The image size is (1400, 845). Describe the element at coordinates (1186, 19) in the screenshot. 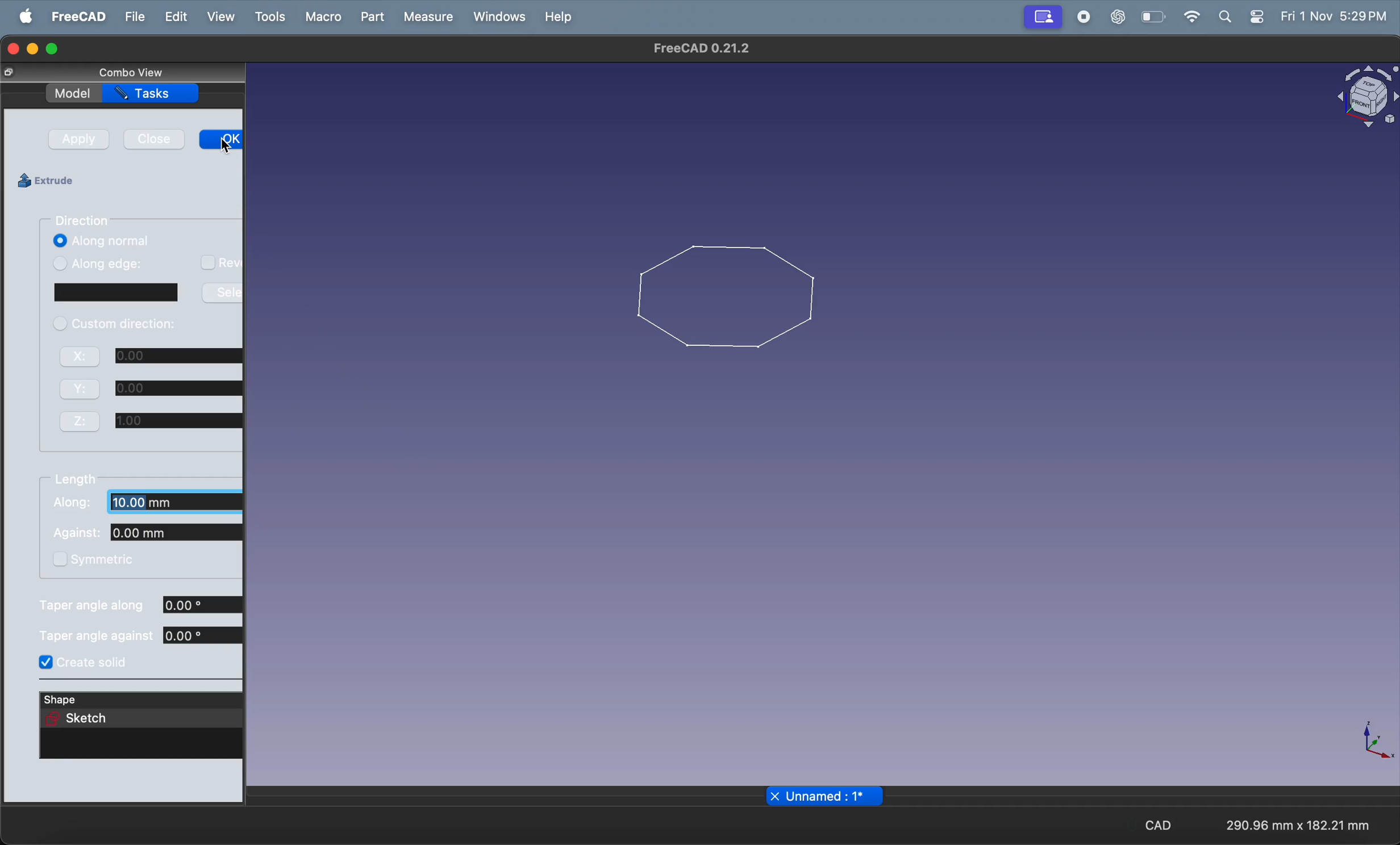

I see `wifi` at that location.